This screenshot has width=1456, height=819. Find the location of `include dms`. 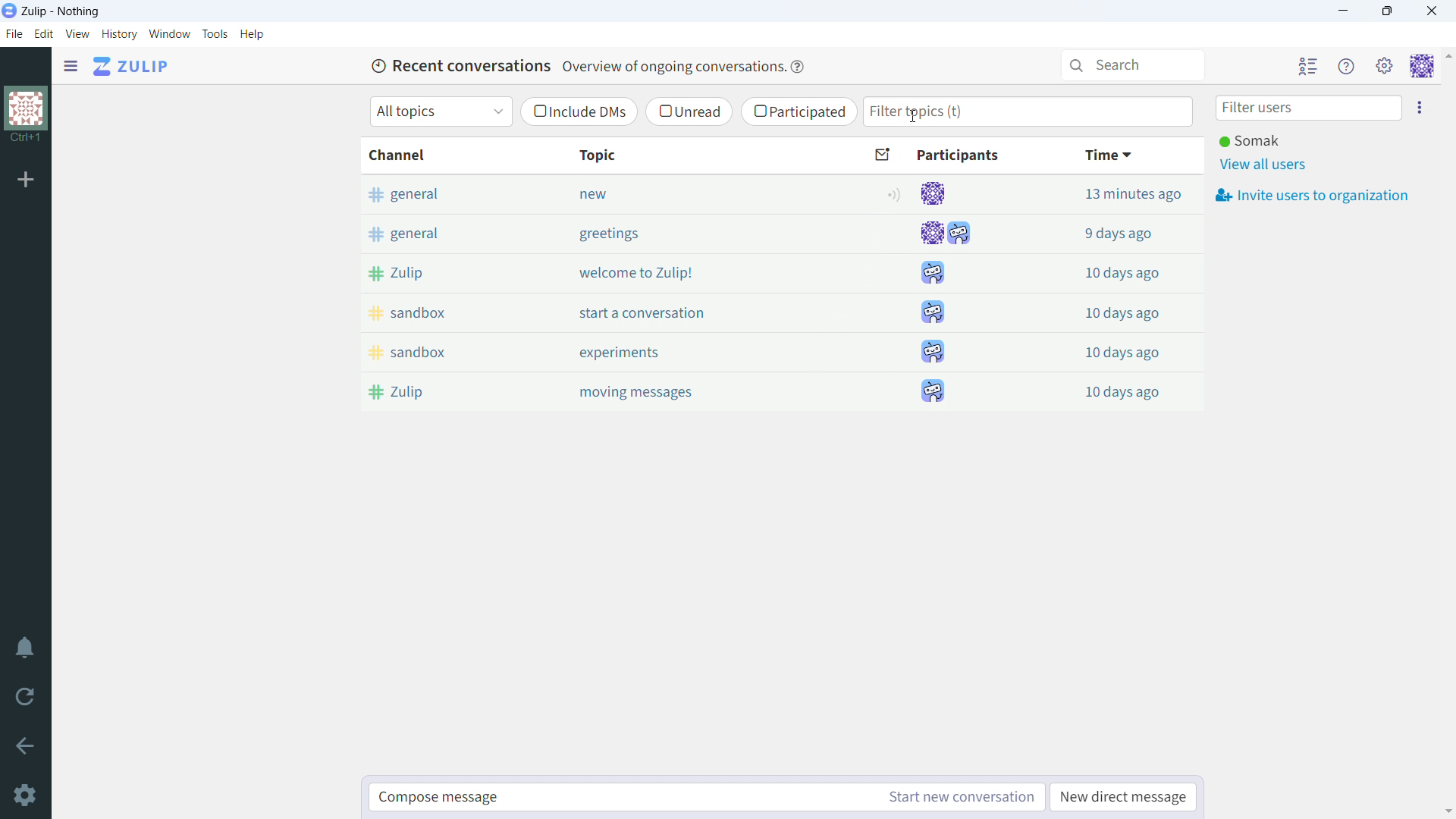

include dms is located at coordinates (578, 112).